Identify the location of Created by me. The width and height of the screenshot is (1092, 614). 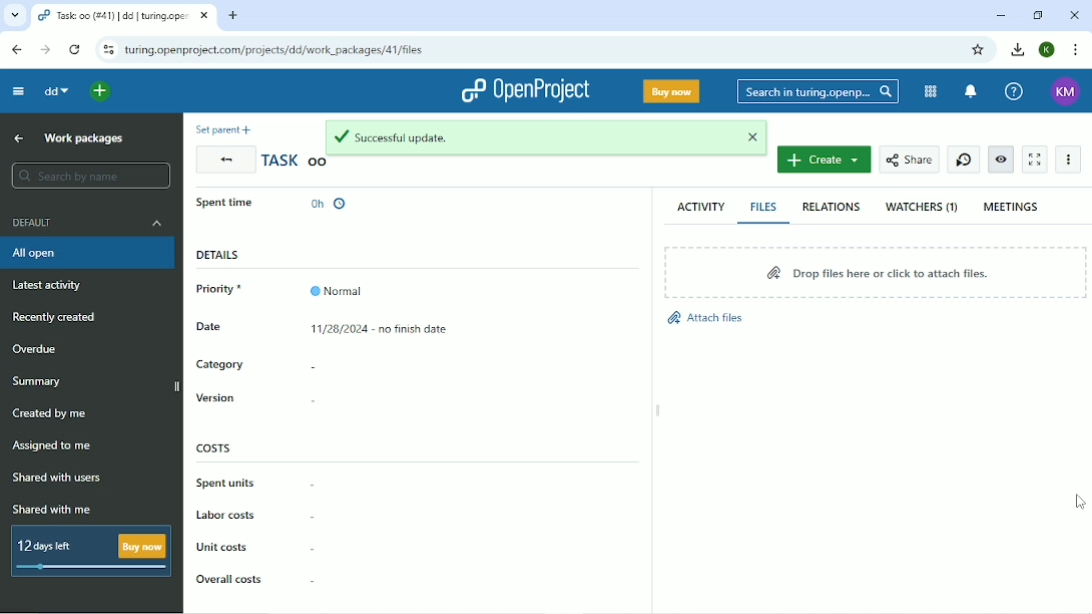
(53, 413).